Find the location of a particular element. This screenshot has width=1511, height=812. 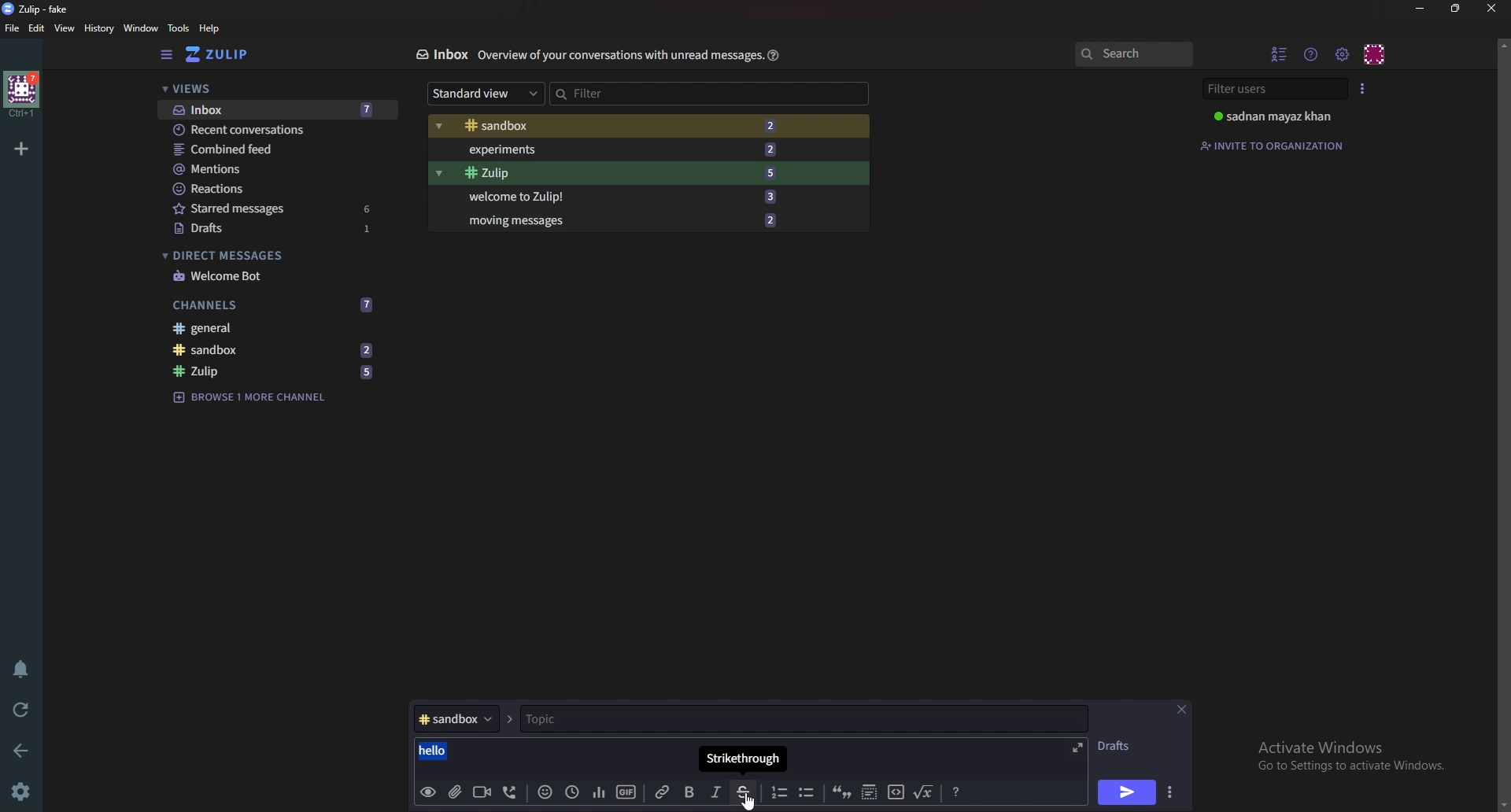

Channels is located at coordinates (275, 305).